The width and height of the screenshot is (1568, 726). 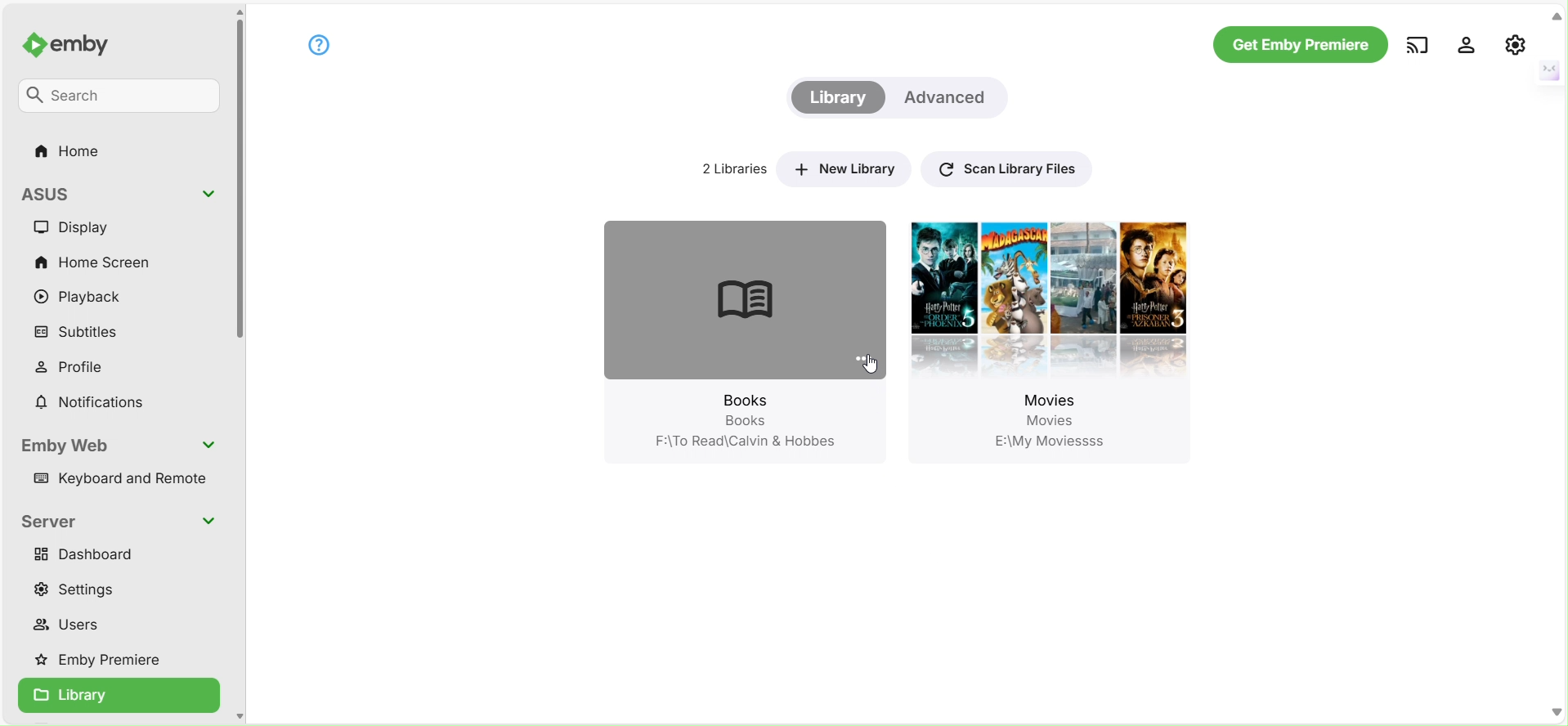 I want to click on Library View in Open, so click(x=119, y=697).